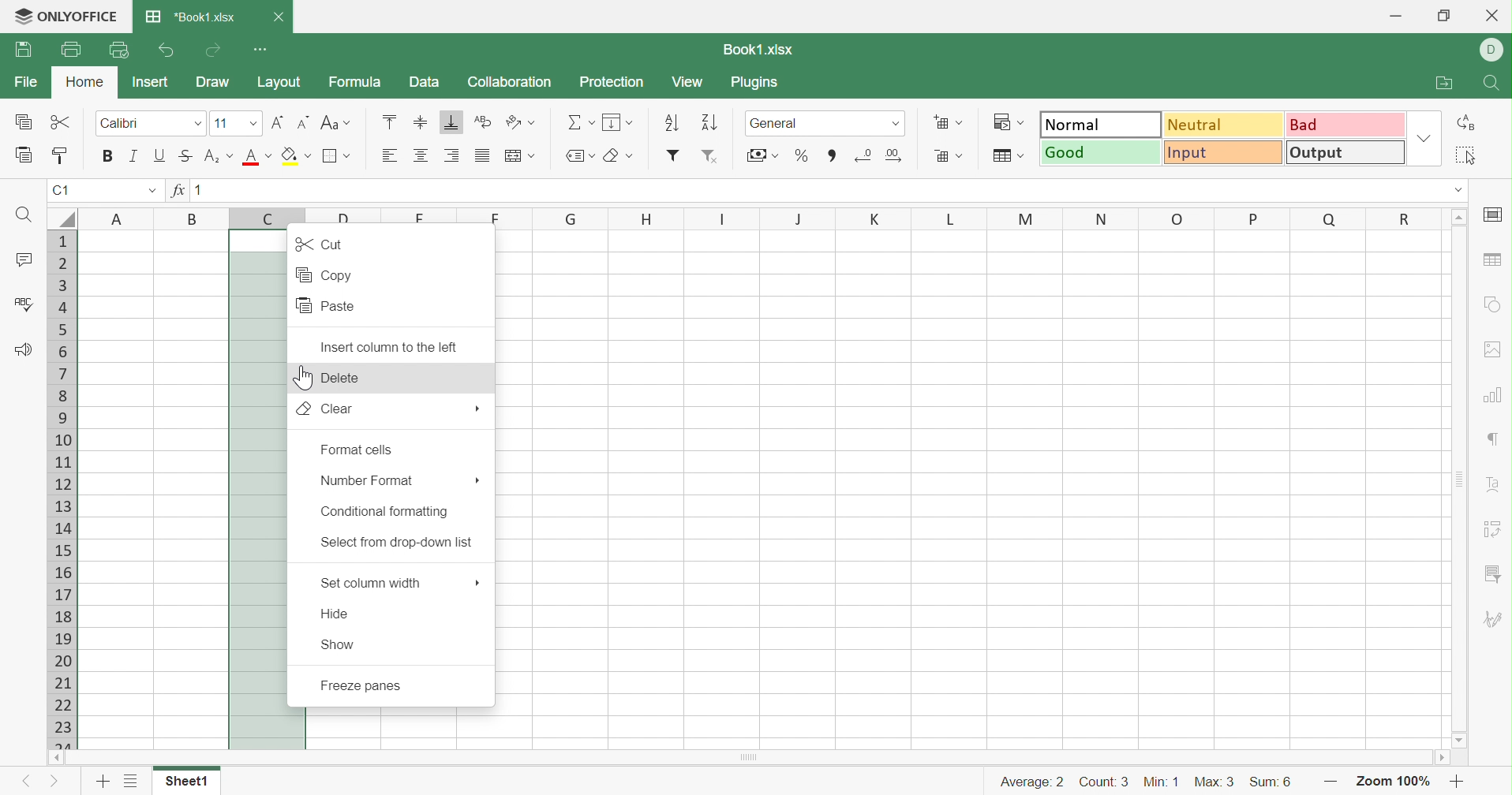  What do you see at coordinates (1491, 528) in the screenshot?
I see `Pivot Table settings` at bounding box center [1491, 528].